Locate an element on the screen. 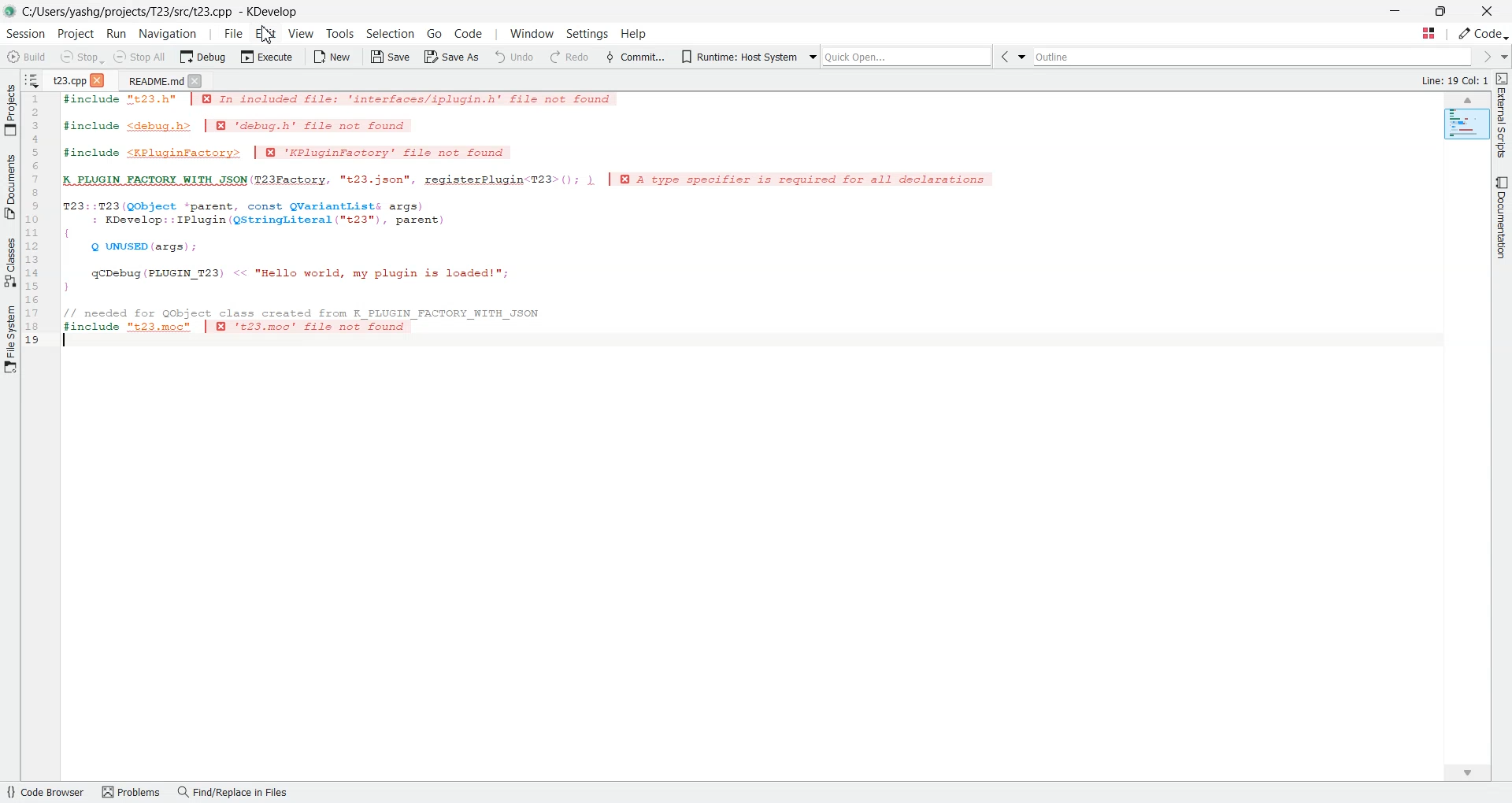 This screenshot has height=803, width=1512. Code is located at coordinates (1484, 34).